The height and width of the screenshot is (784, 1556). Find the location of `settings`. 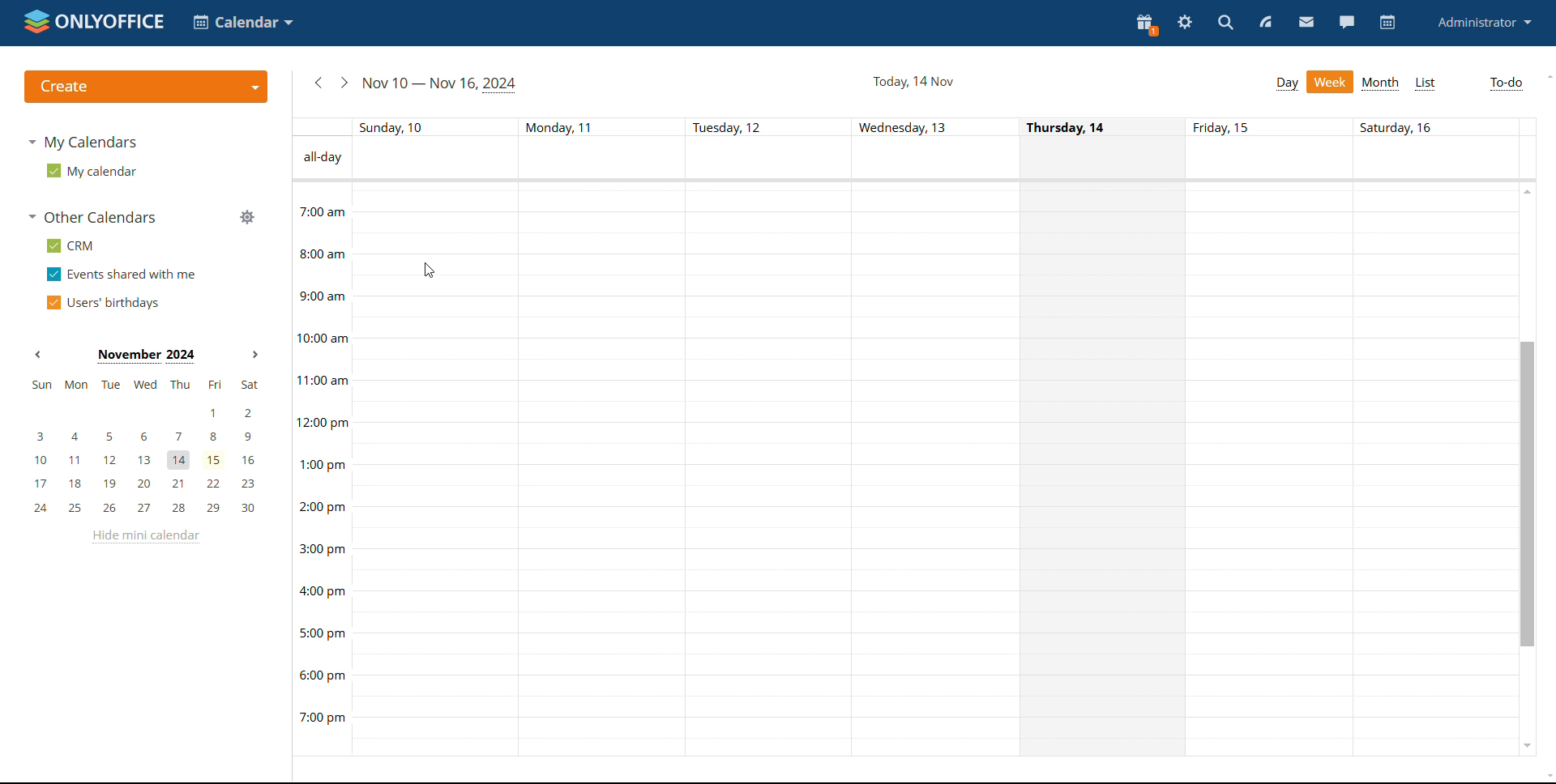

settings is located at coordinates (1186, 23).